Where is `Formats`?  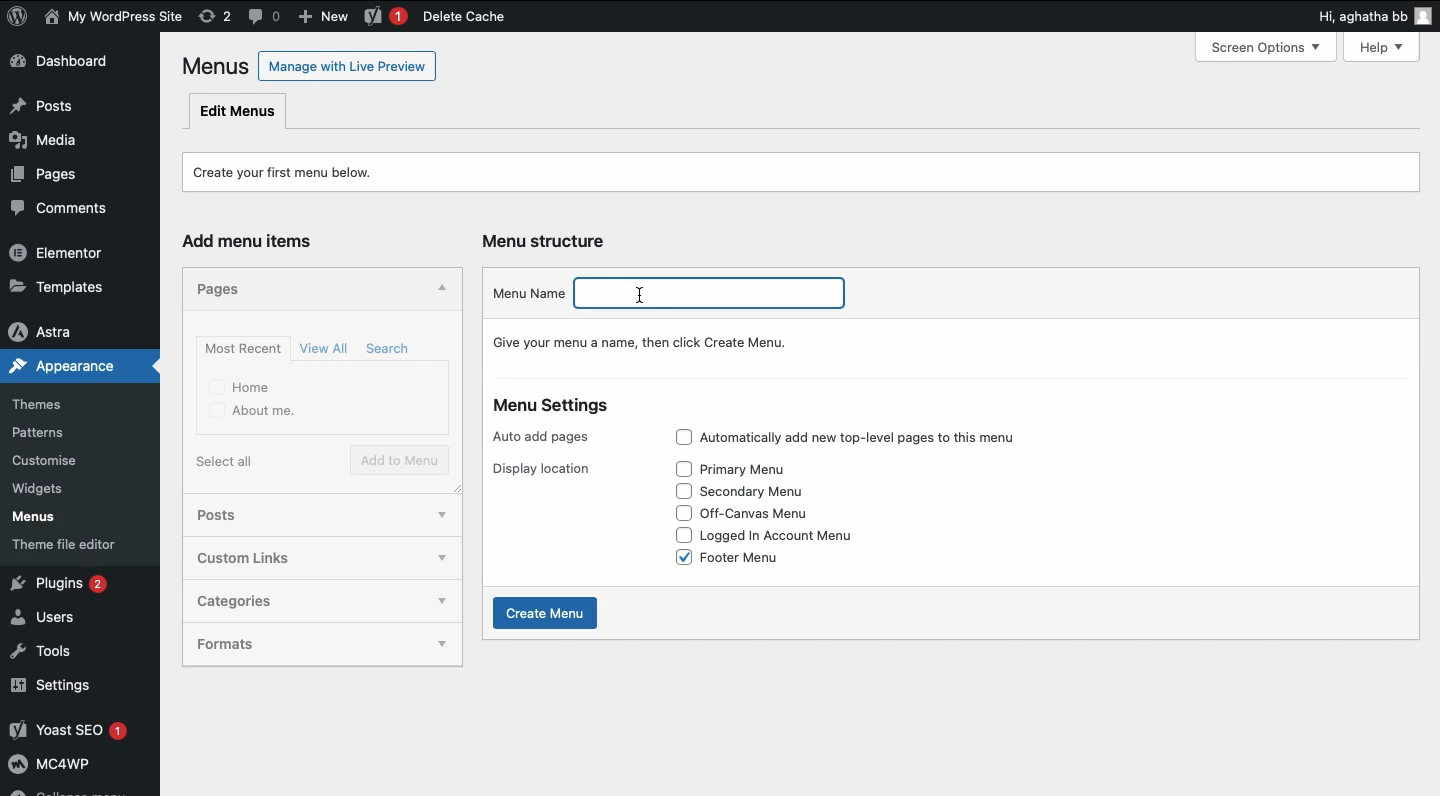
Formats is located at coordinates (288, 644).